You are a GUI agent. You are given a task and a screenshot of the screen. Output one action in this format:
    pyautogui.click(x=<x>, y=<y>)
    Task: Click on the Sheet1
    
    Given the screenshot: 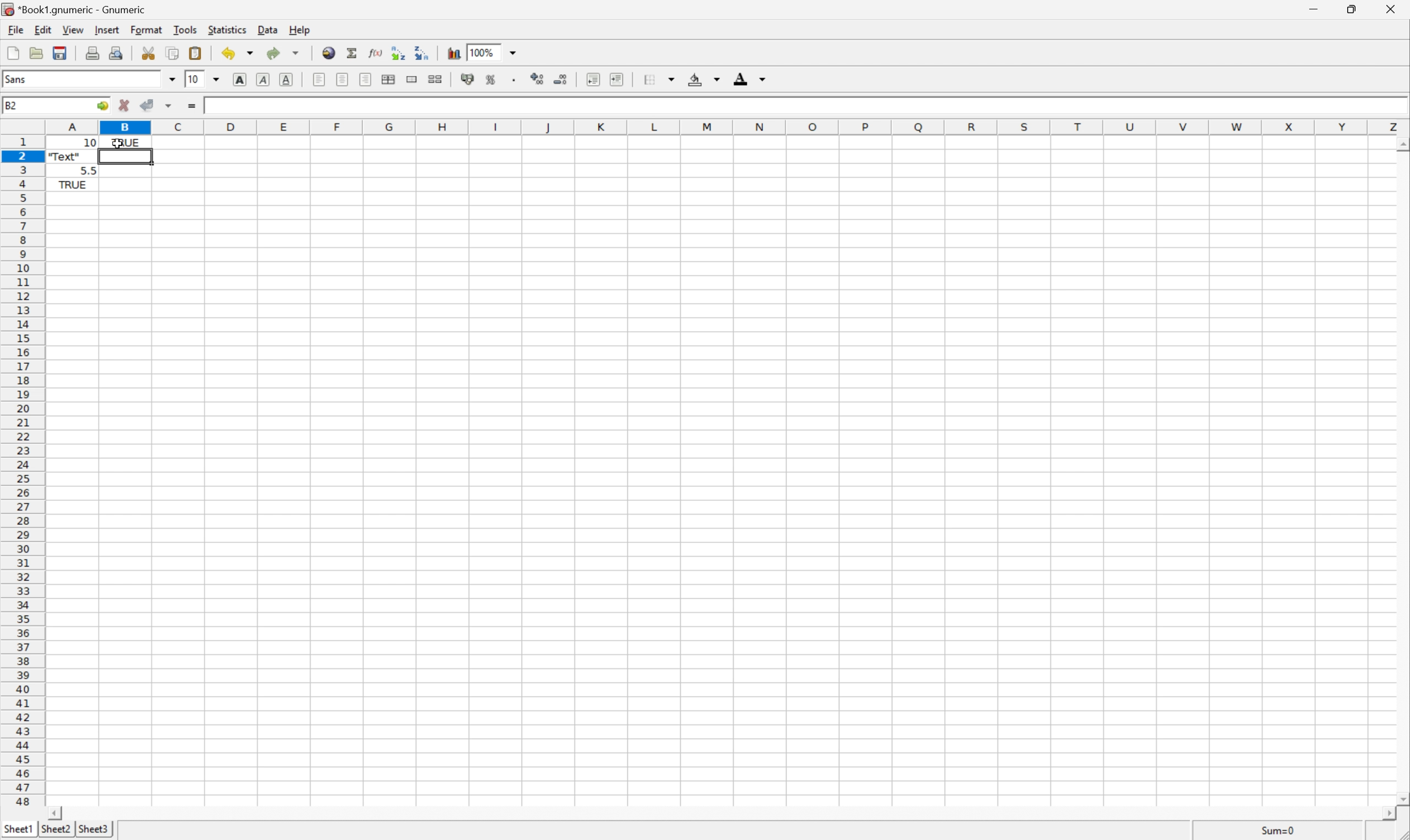 What is the action you would take?
    pyautogui.click(x=17, y=830)
    